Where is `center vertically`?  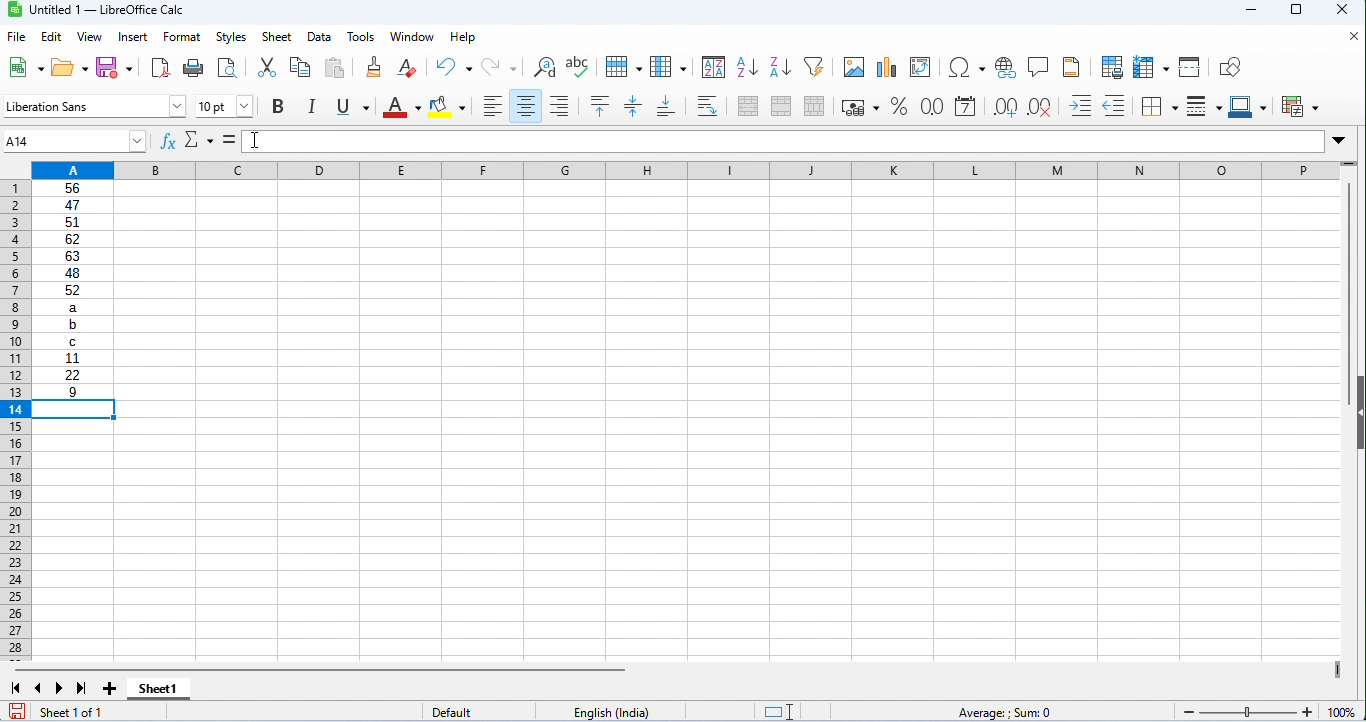 center vertically is located at coordinates (633, 106).